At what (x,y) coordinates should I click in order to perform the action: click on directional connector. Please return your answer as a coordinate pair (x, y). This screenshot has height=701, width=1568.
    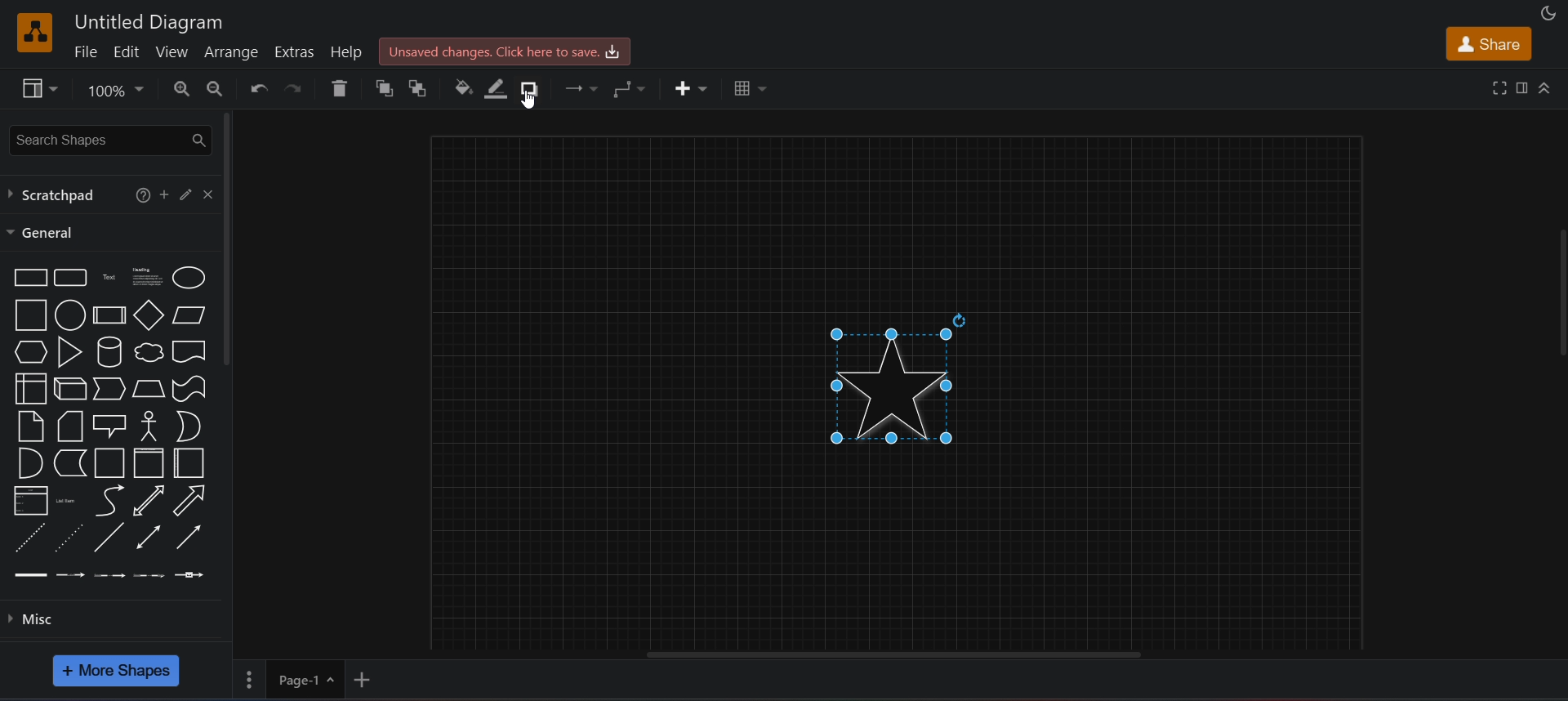
    Looking at the image, I should click on (187, 538).